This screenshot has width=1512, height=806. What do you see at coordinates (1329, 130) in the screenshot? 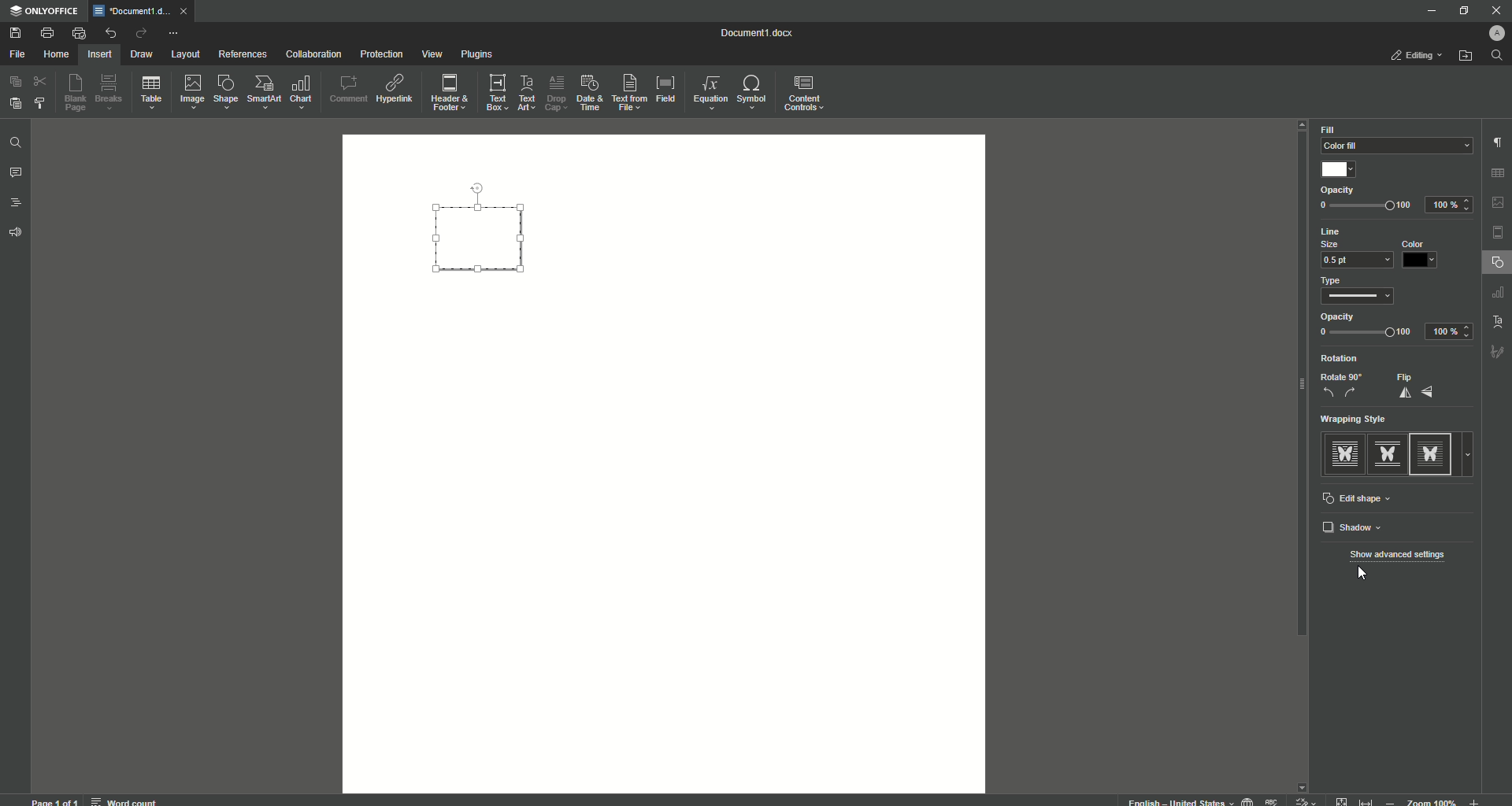
I see `Fill` at bounding box center [1329, 130].